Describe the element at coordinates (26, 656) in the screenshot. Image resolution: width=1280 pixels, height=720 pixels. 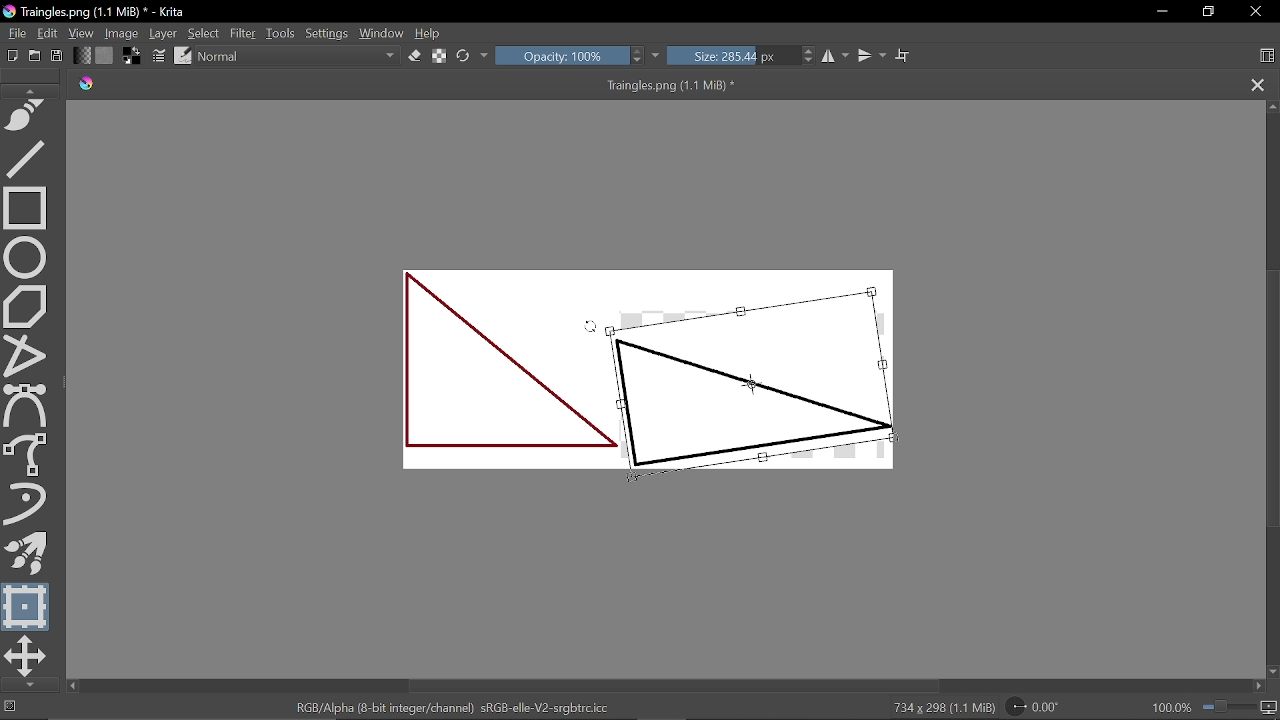
I see `Move a layer` at that location.